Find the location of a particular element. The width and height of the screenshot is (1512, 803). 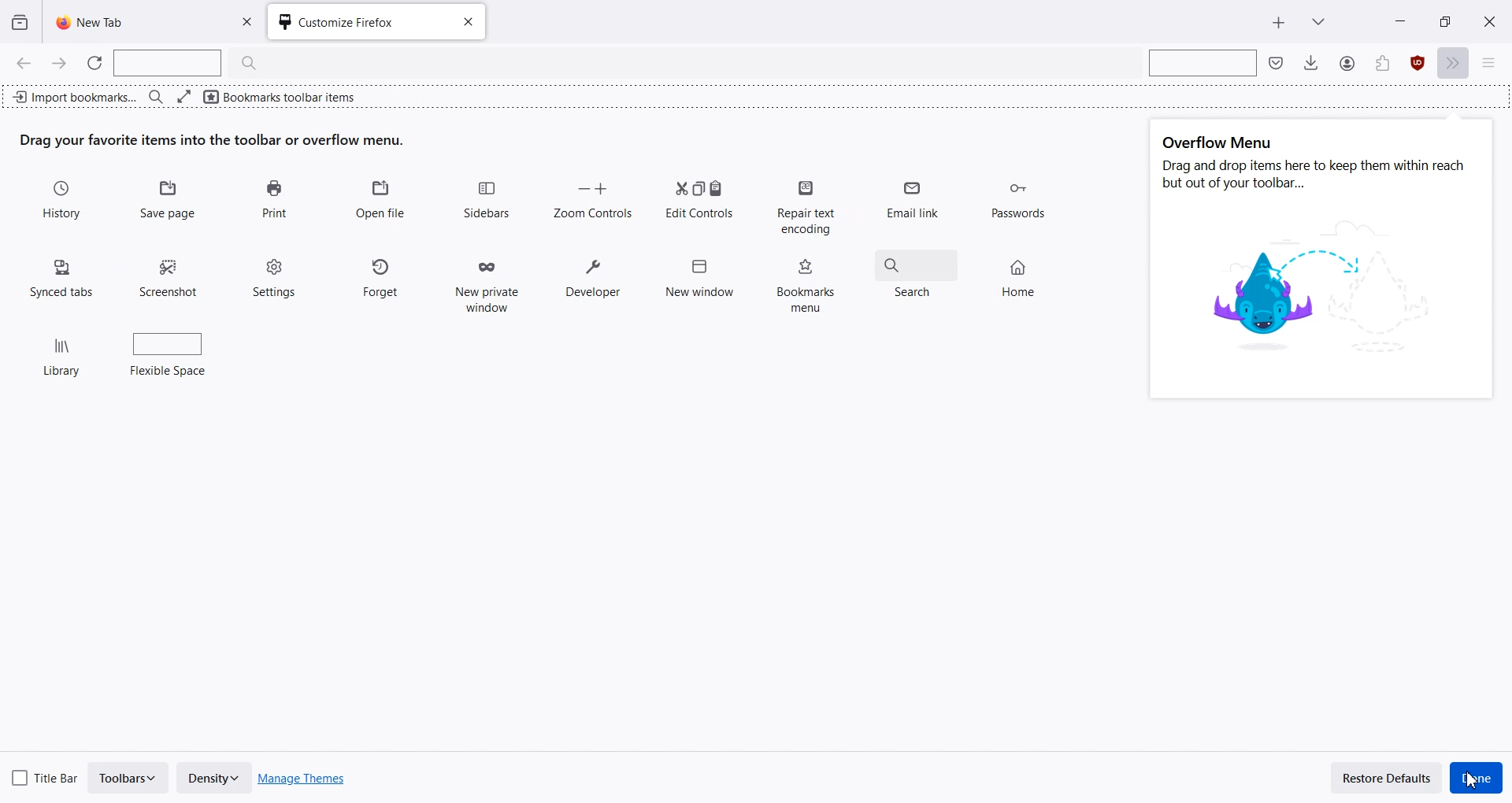

Search bar is located at coordinates (156, 96).